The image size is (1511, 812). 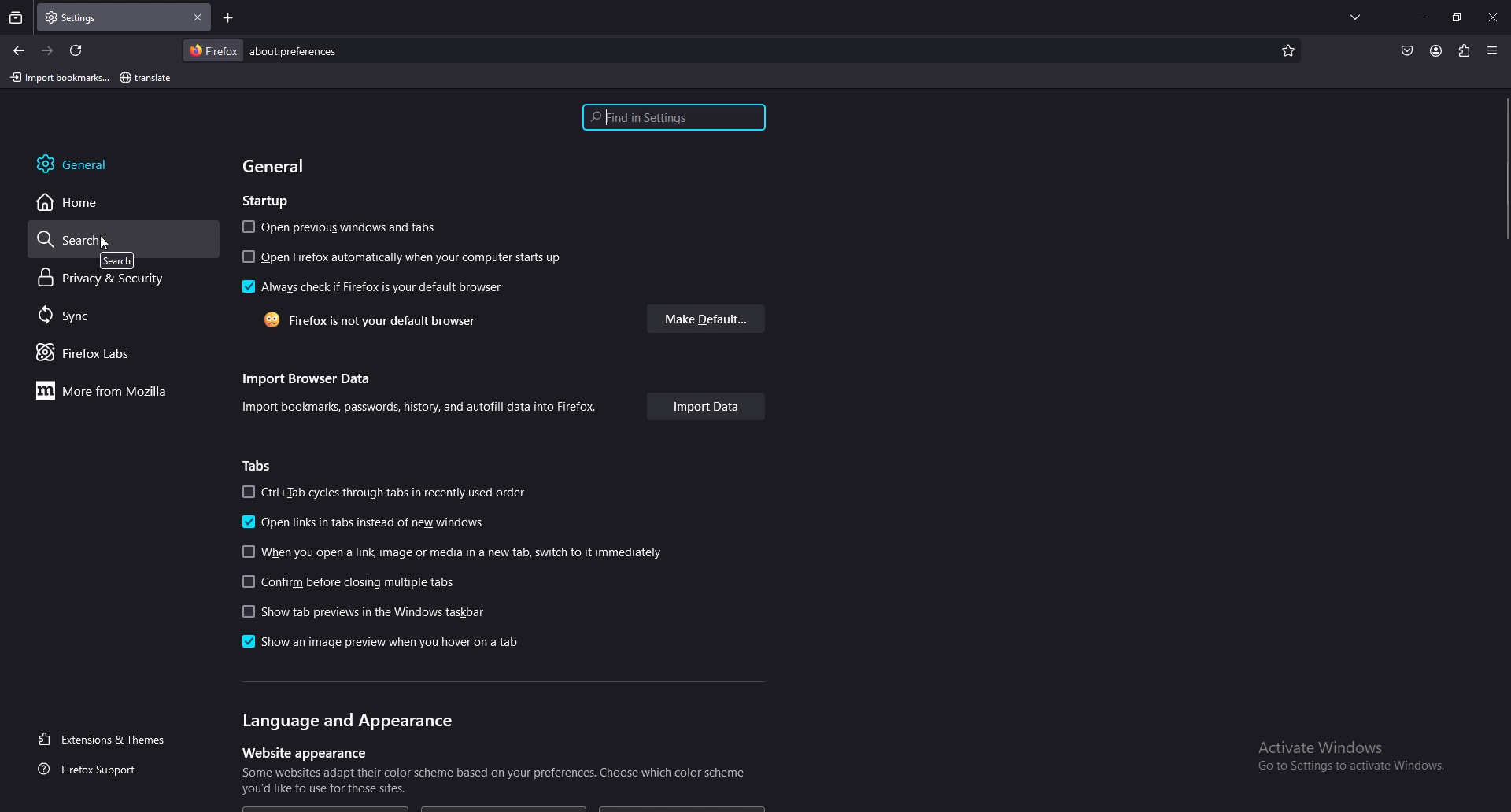 What do you see at coordinates (200, 17) in the screenshot?
I see `close tab` at bounding box center [200, 17].